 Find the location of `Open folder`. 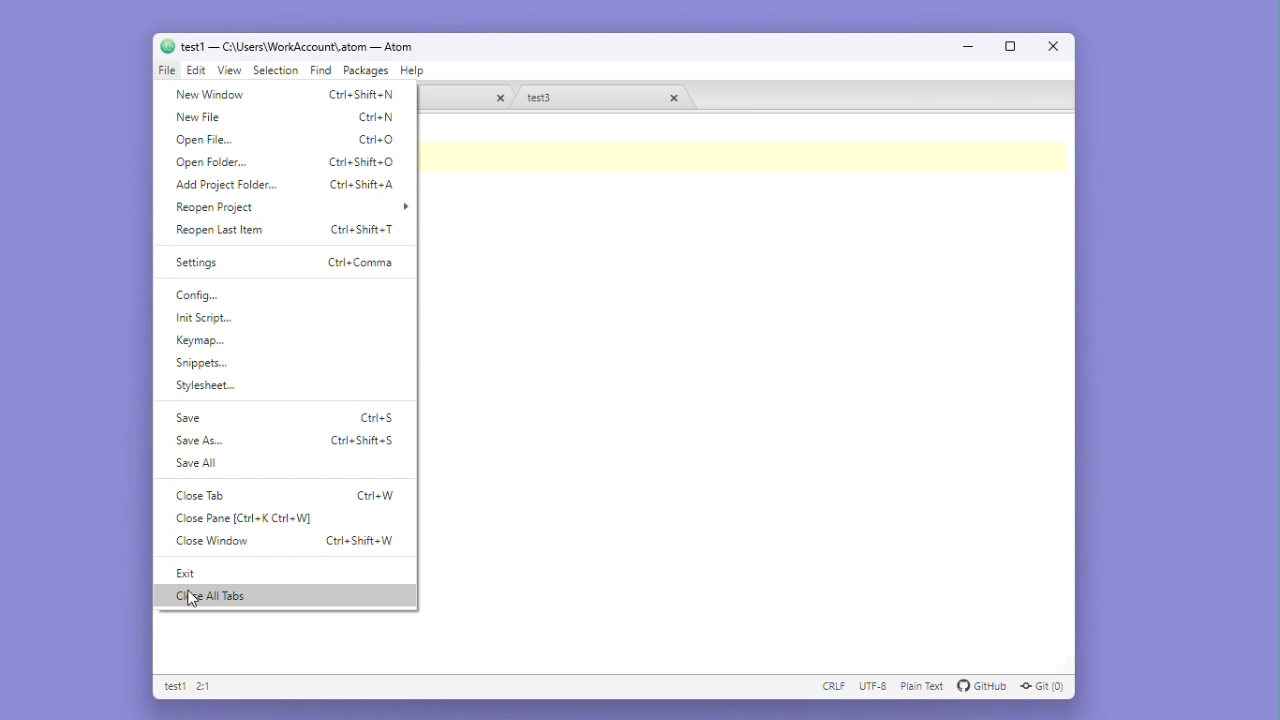

Open folder is located at coordinates (213, 162).